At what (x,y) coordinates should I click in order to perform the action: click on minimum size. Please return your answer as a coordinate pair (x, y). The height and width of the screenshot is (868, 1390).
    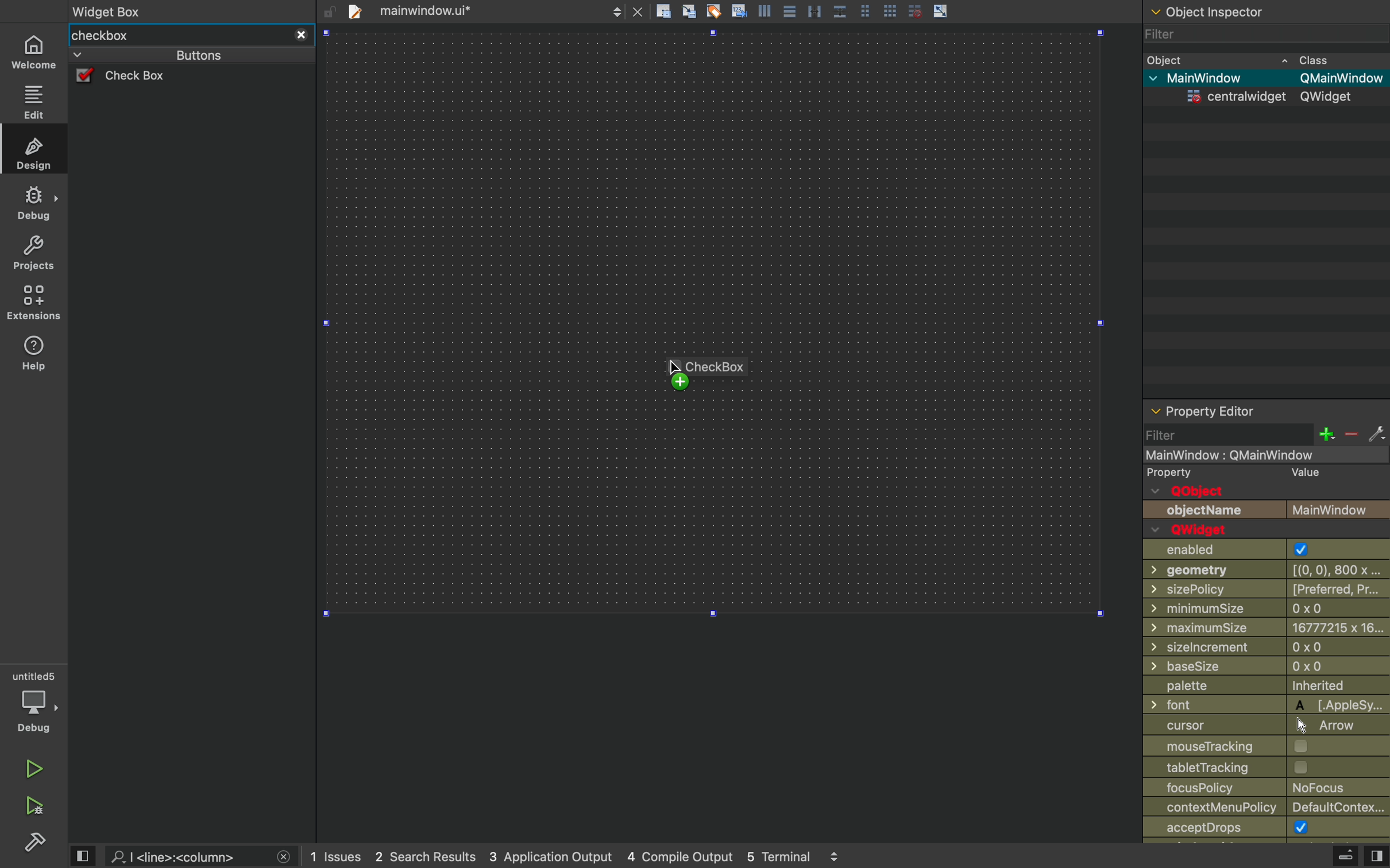
    Looking at the image, I should click on (1240, 609).